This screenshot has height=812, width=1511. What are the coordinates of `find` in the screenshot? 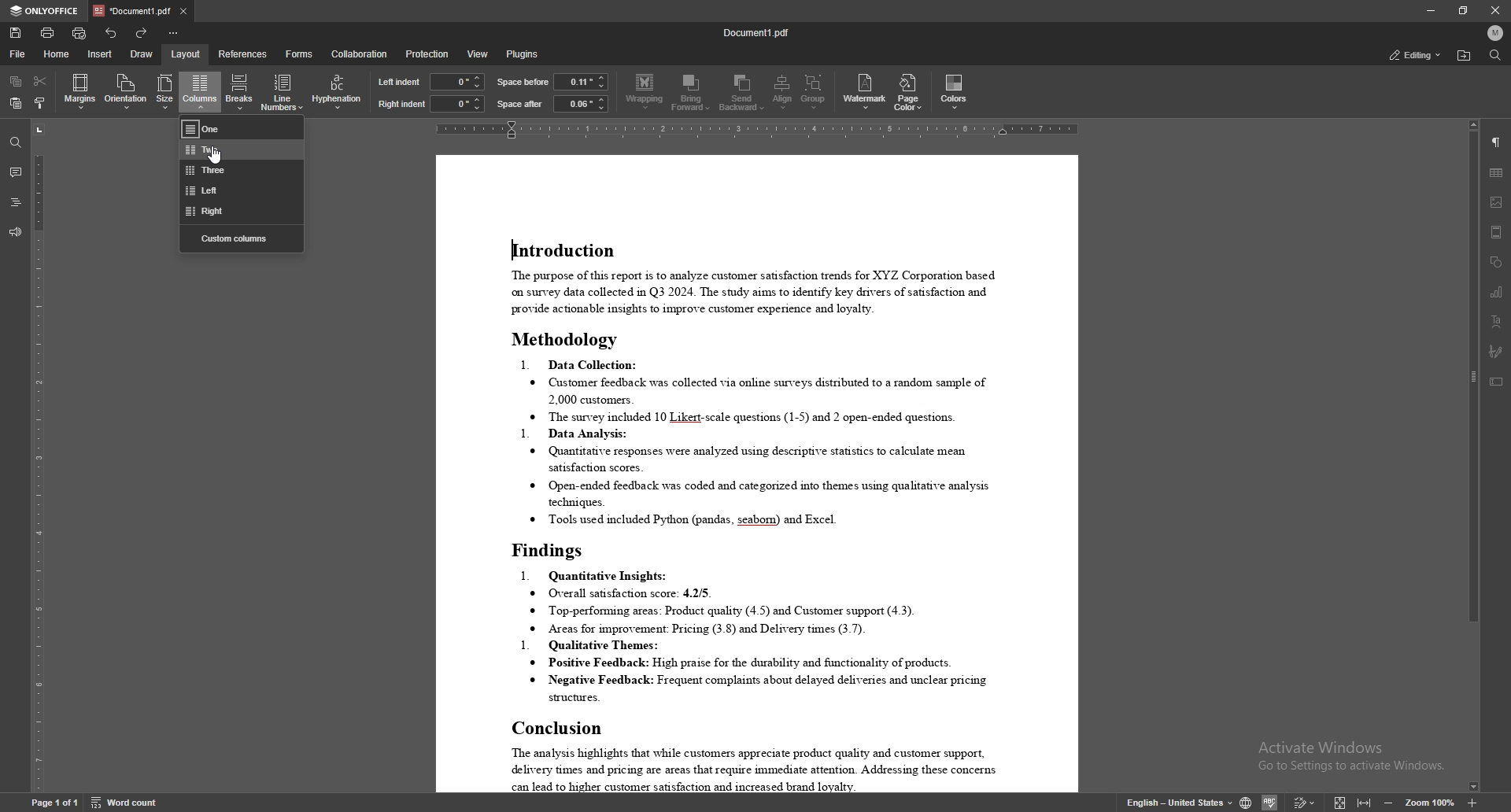 It's located at (1494, 55).